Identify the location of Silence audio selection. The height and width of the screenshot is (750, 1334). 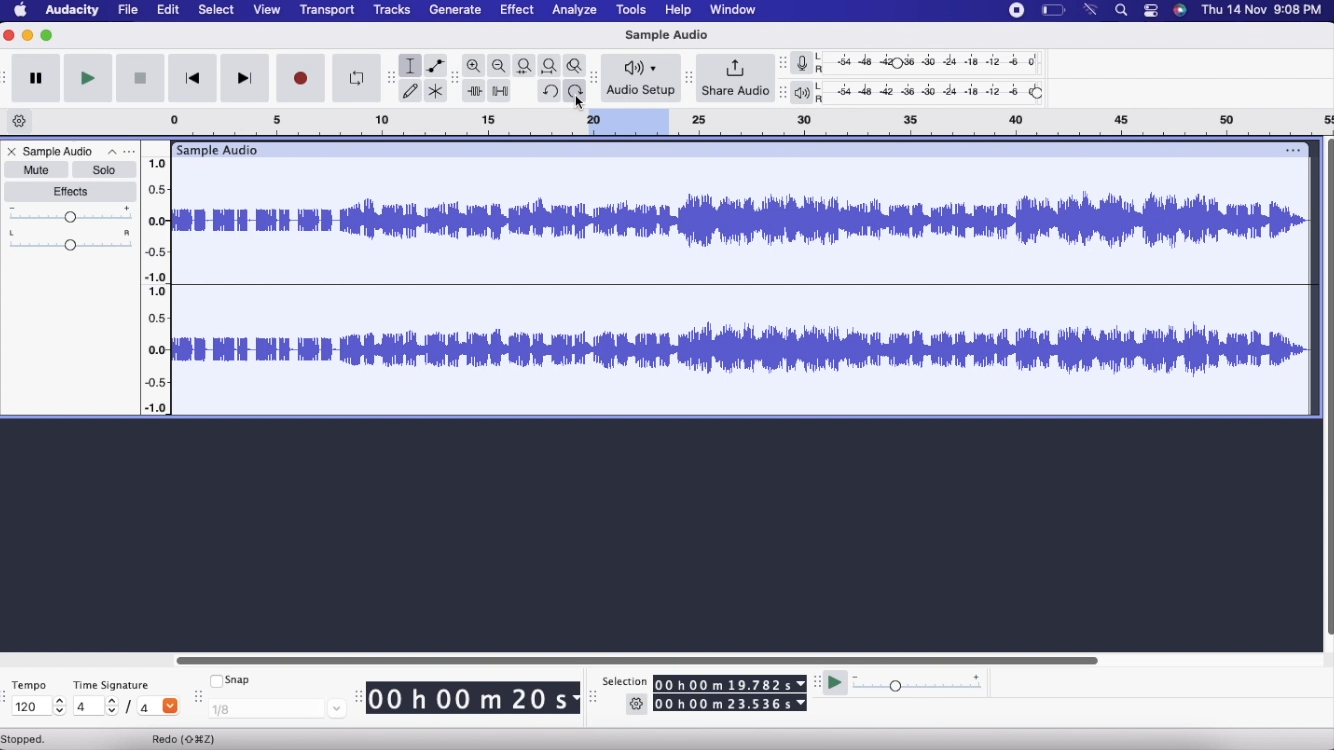
(502, 91).